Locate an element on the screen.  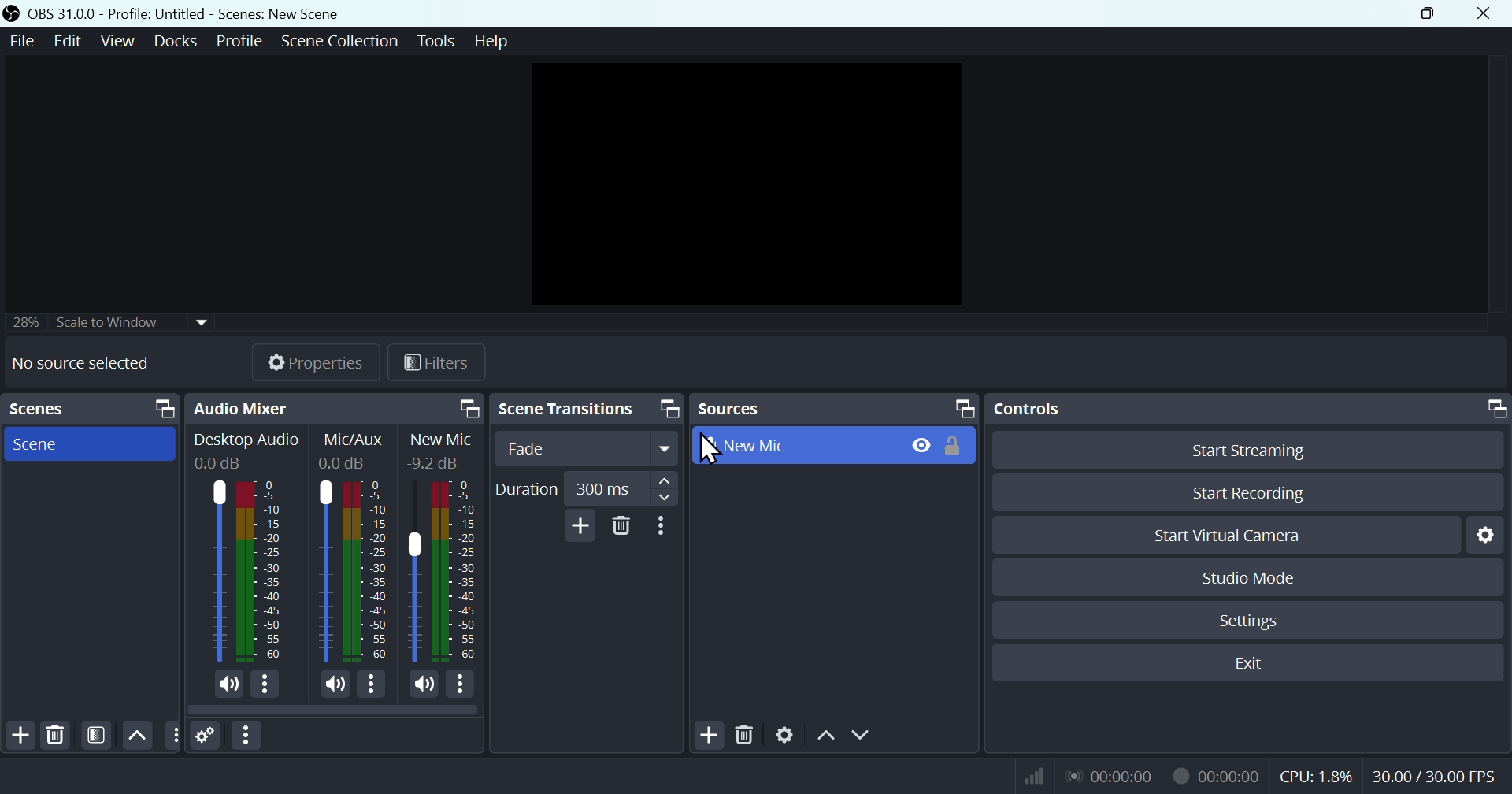
Live Status is located at coordinates (1110, 776).